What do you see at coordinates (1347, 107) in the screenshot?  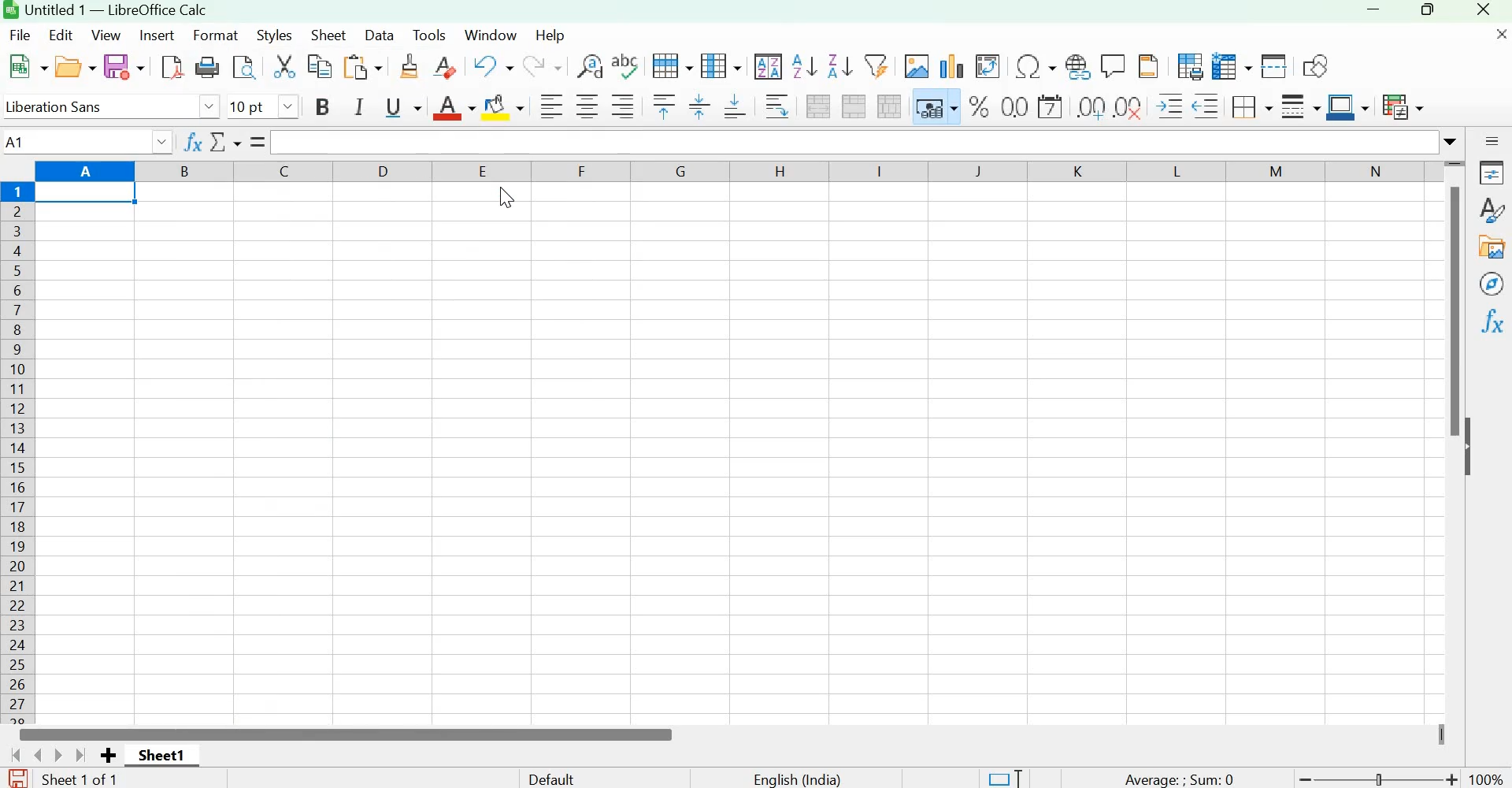 I see `Border color` at bounding box center [1347, 107].